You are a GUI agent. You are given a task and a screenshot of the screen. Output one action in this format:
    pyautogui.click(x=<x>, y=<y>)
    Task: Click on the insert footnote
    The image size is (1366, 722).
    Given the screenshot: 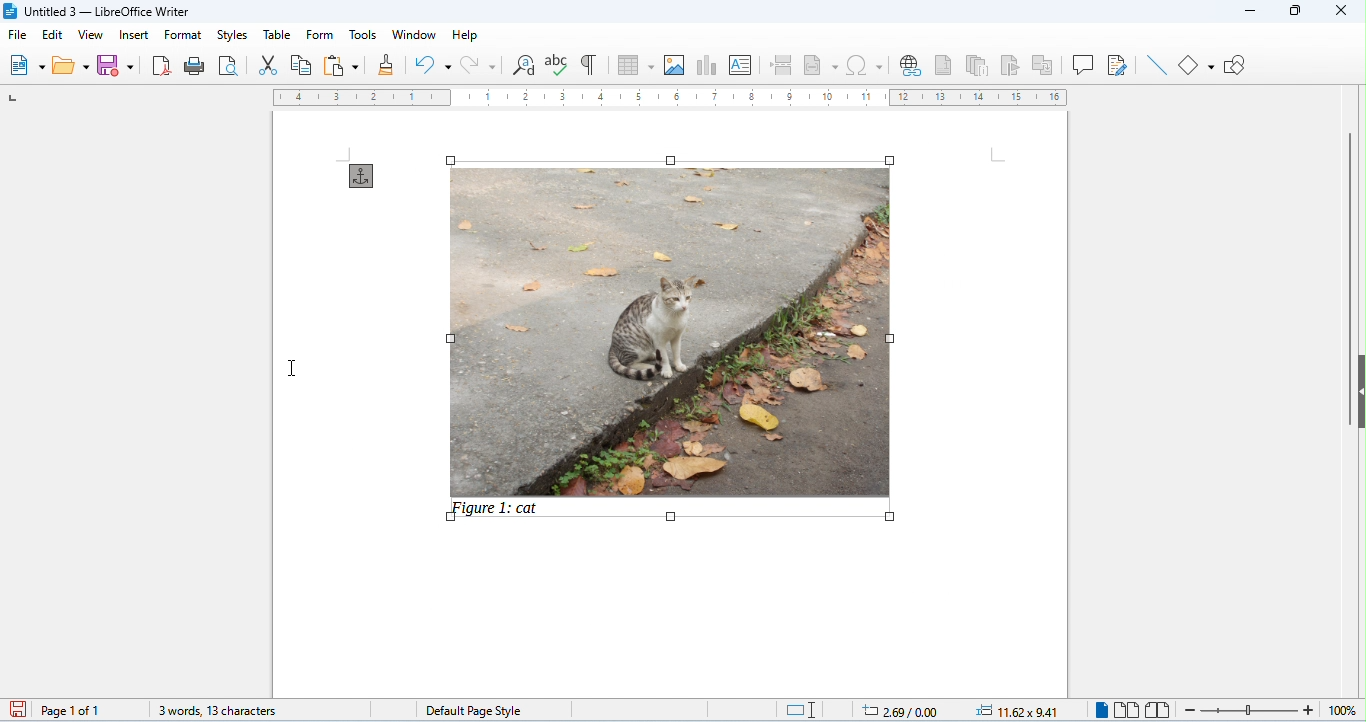 What is the action you would take?
    pyautogui.click(x=945, y=65)
    